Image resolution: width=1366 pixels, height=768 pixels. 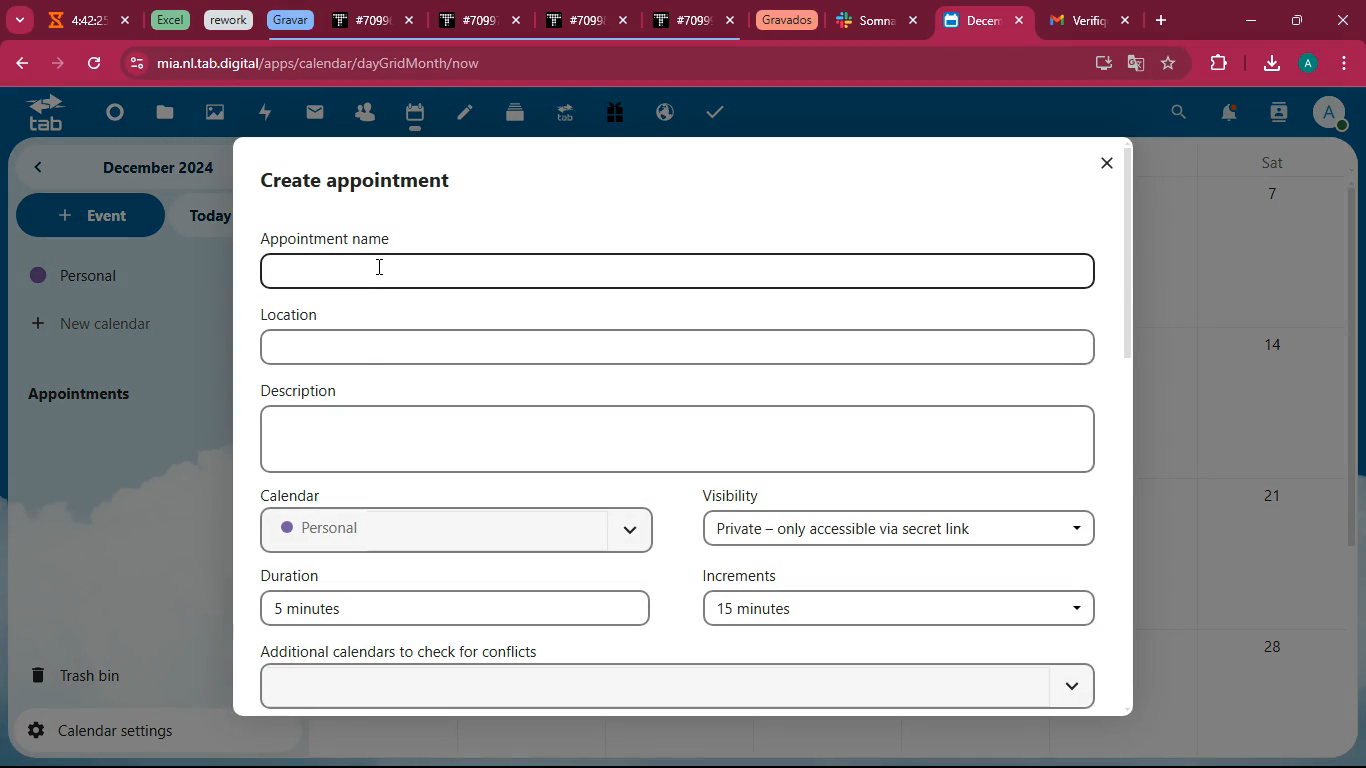 What do you see at coordinates (39, 112) in the screenshot?
I see `tab` at bounding box center [39, 112].